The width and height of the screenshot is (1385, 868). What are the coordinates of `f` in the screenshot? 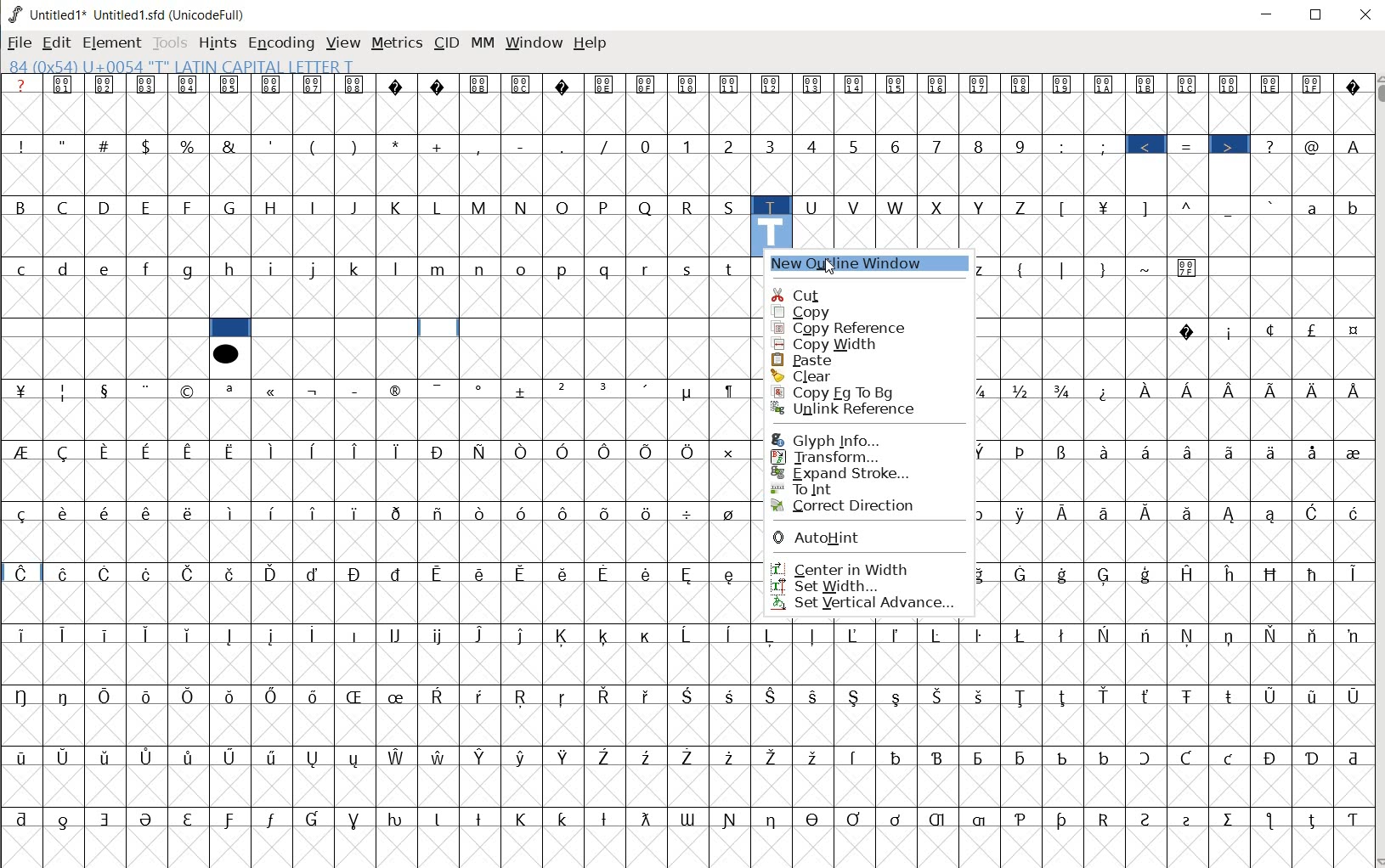 It's located at (148, 269).